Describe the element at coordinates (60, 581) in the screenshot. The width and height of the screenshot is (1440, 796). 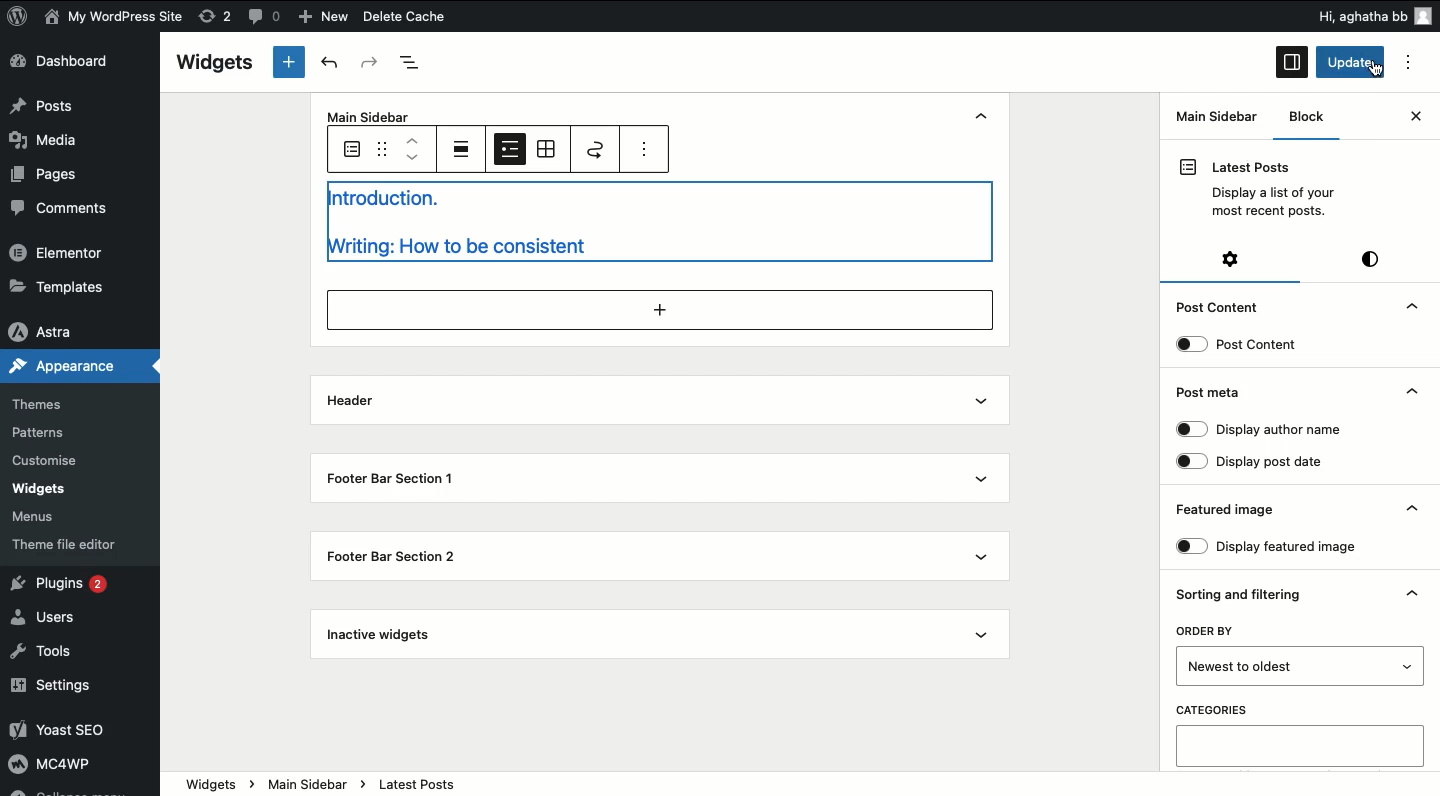
I see `Plugins 2` at that location.